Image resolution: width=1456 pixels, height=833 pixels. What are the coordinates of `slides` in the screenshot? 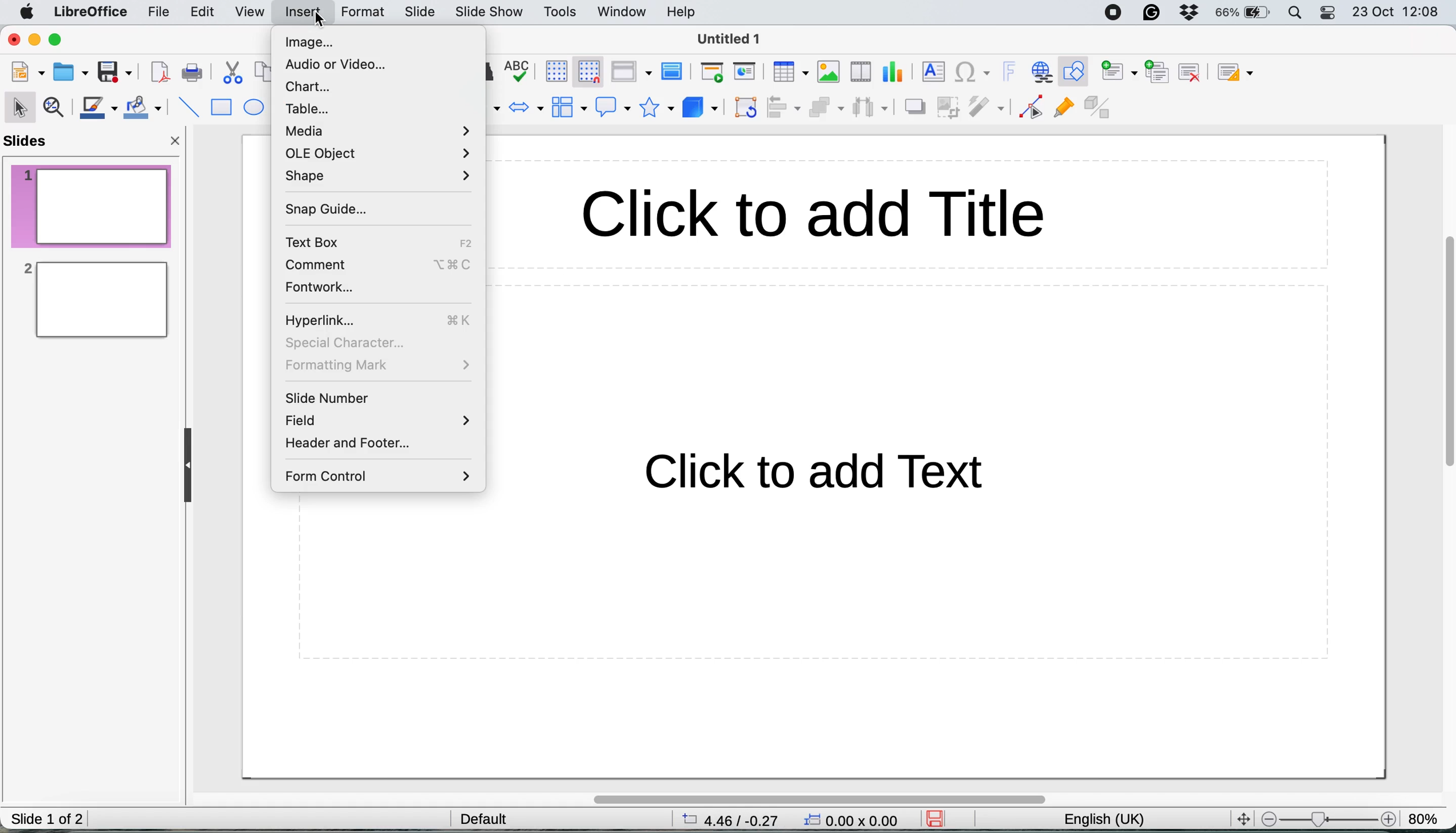 It's located at (30, 142).